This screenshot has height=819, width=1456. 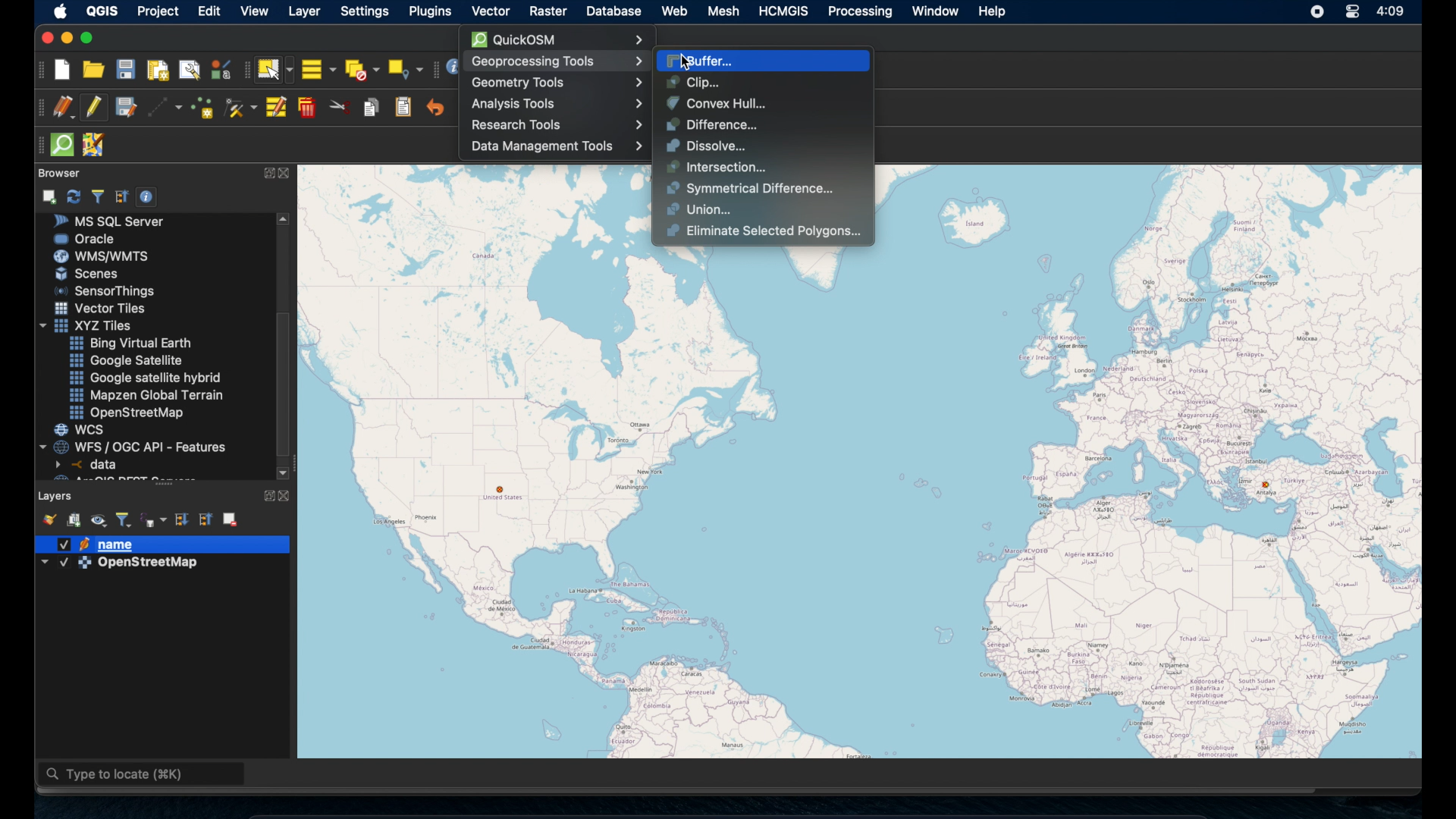 I want to click on type to locate, so click(x=143, y=776).